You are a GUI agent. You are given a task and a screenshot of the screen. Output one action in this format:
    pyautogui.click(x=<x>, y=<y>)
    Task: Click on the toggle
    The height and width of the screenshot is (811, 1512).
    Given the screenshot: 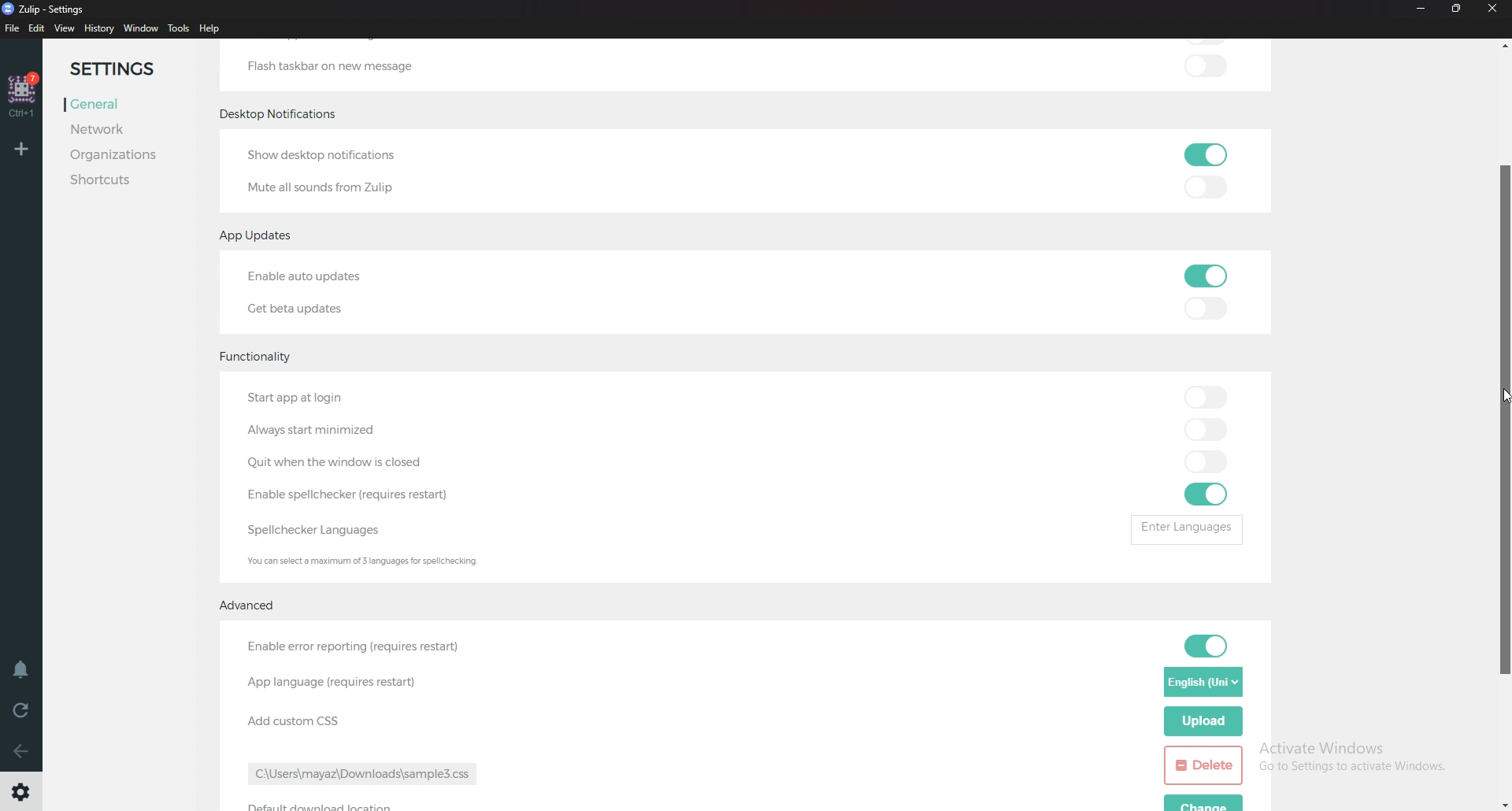 What is the action you would take?
    pyautogui.click(x=1203, y=276)
    